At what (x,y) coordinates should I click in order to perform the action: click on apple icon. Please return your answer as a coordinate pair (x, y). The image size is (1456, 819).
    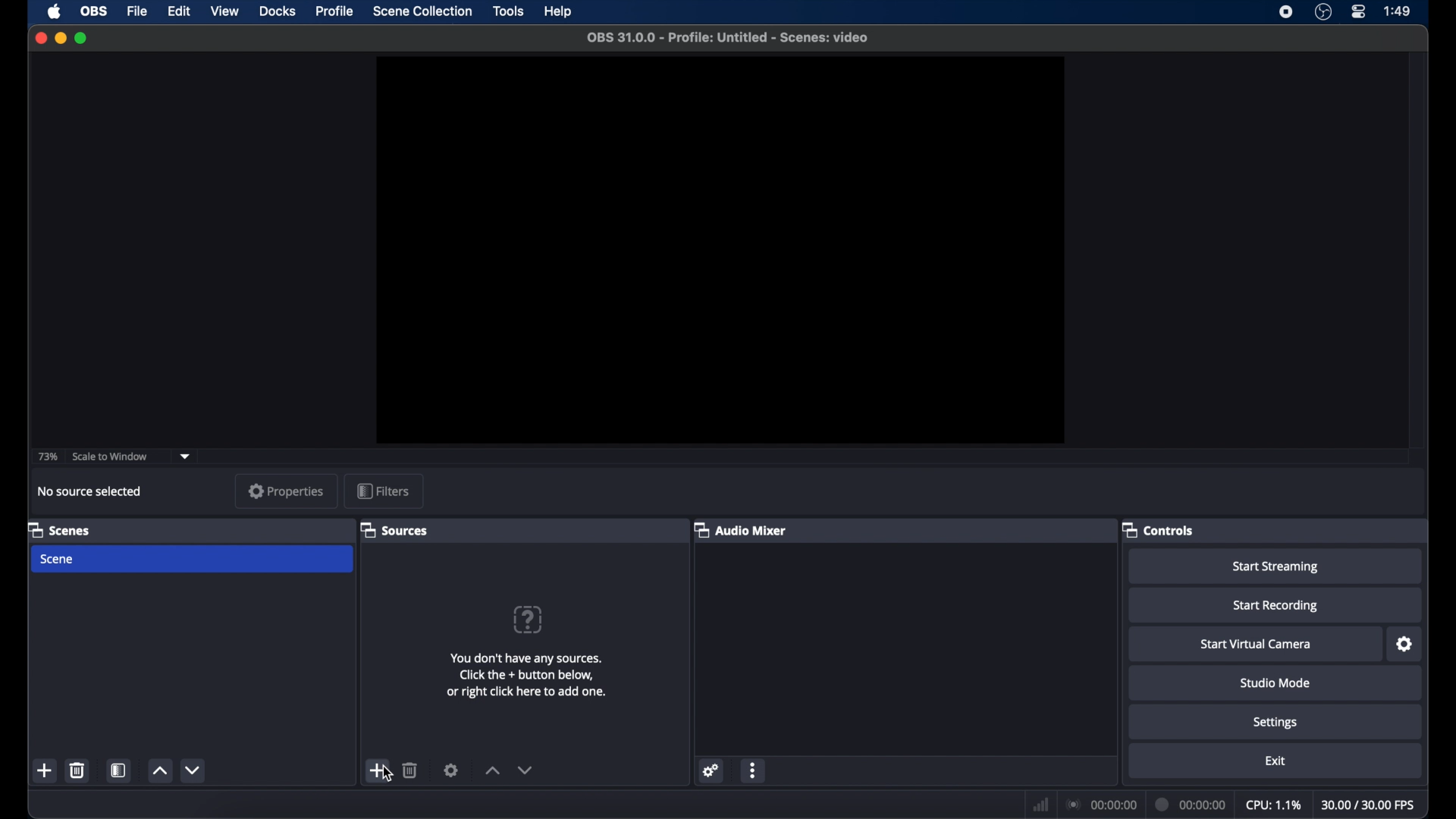
    Looking at the image, I should click on (54, 12).